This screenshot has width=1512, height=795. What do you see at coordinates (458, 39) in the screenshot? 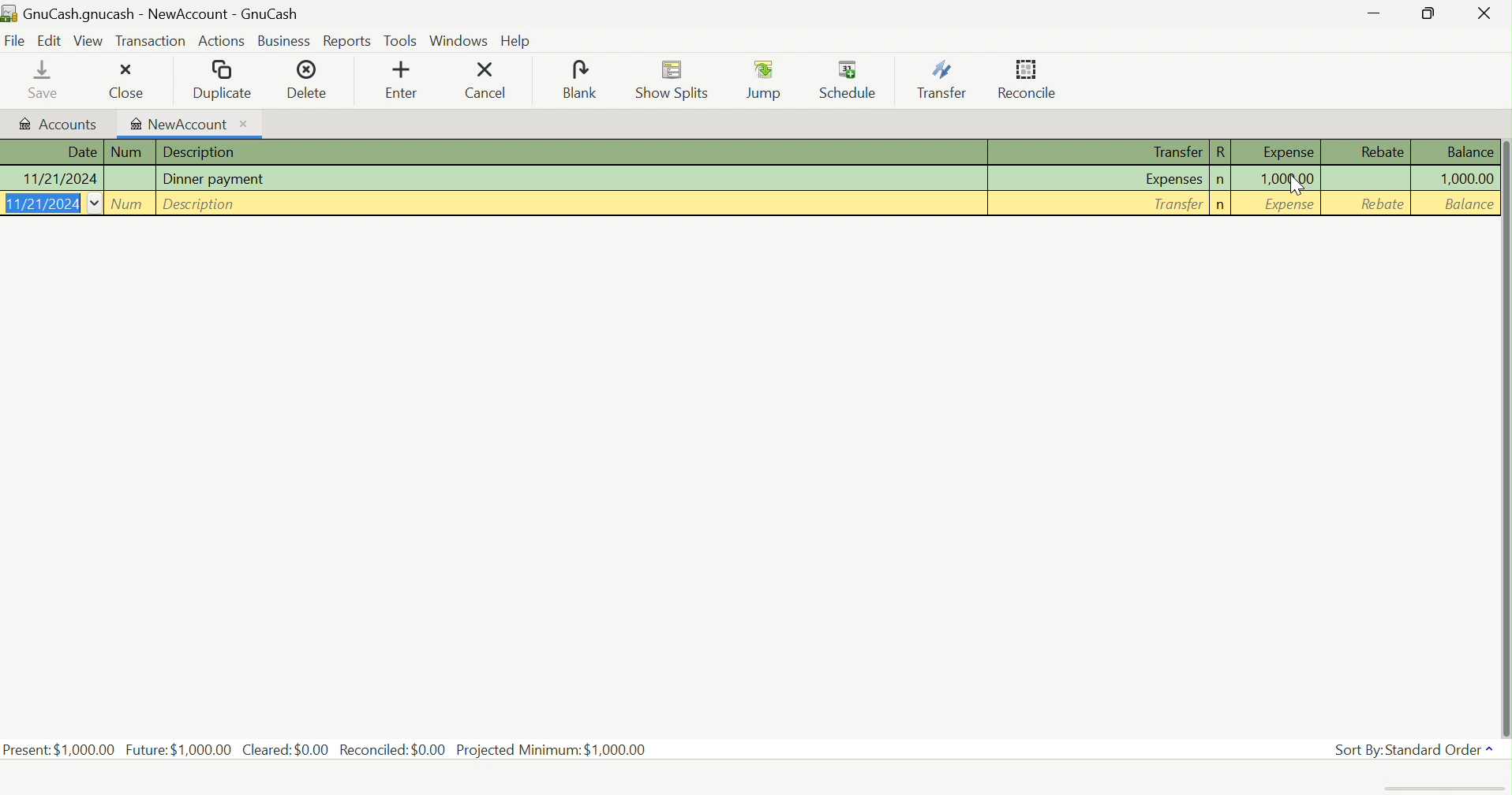
I see `Windows` at bounding box center [458, 39].